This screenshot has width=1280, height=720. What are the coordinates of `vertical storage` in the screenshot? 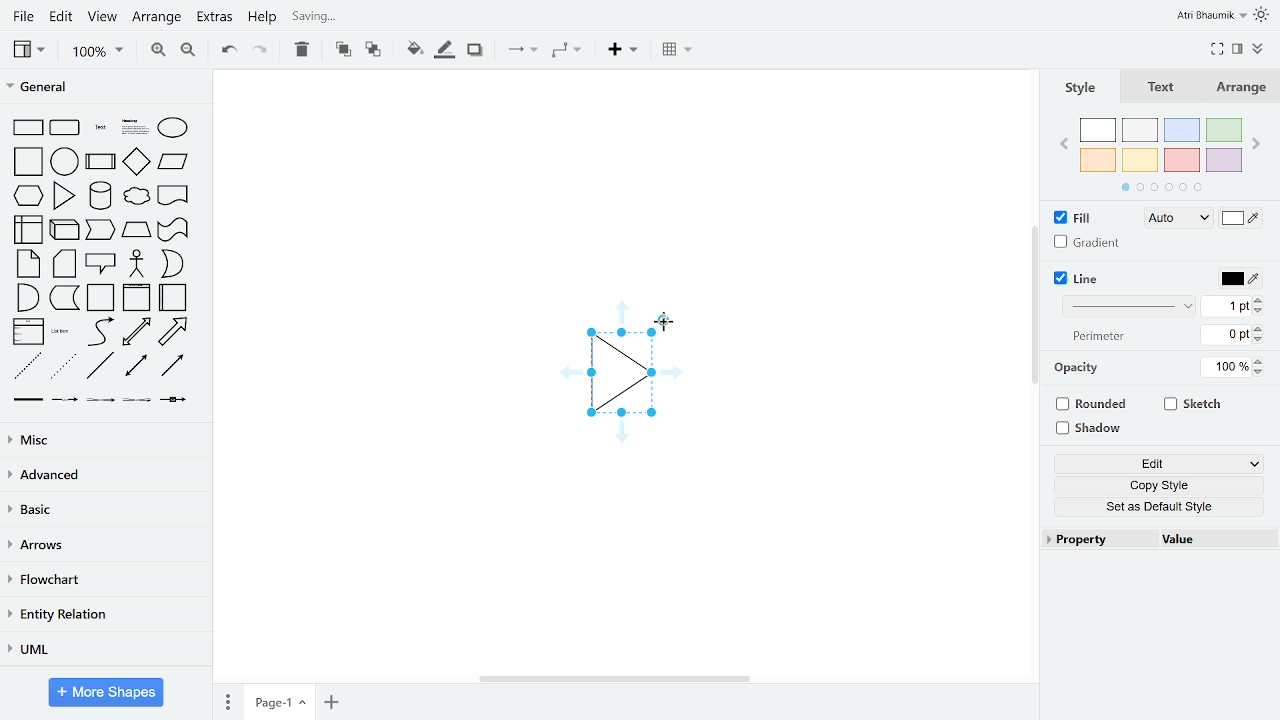 It's located at (136, 298).